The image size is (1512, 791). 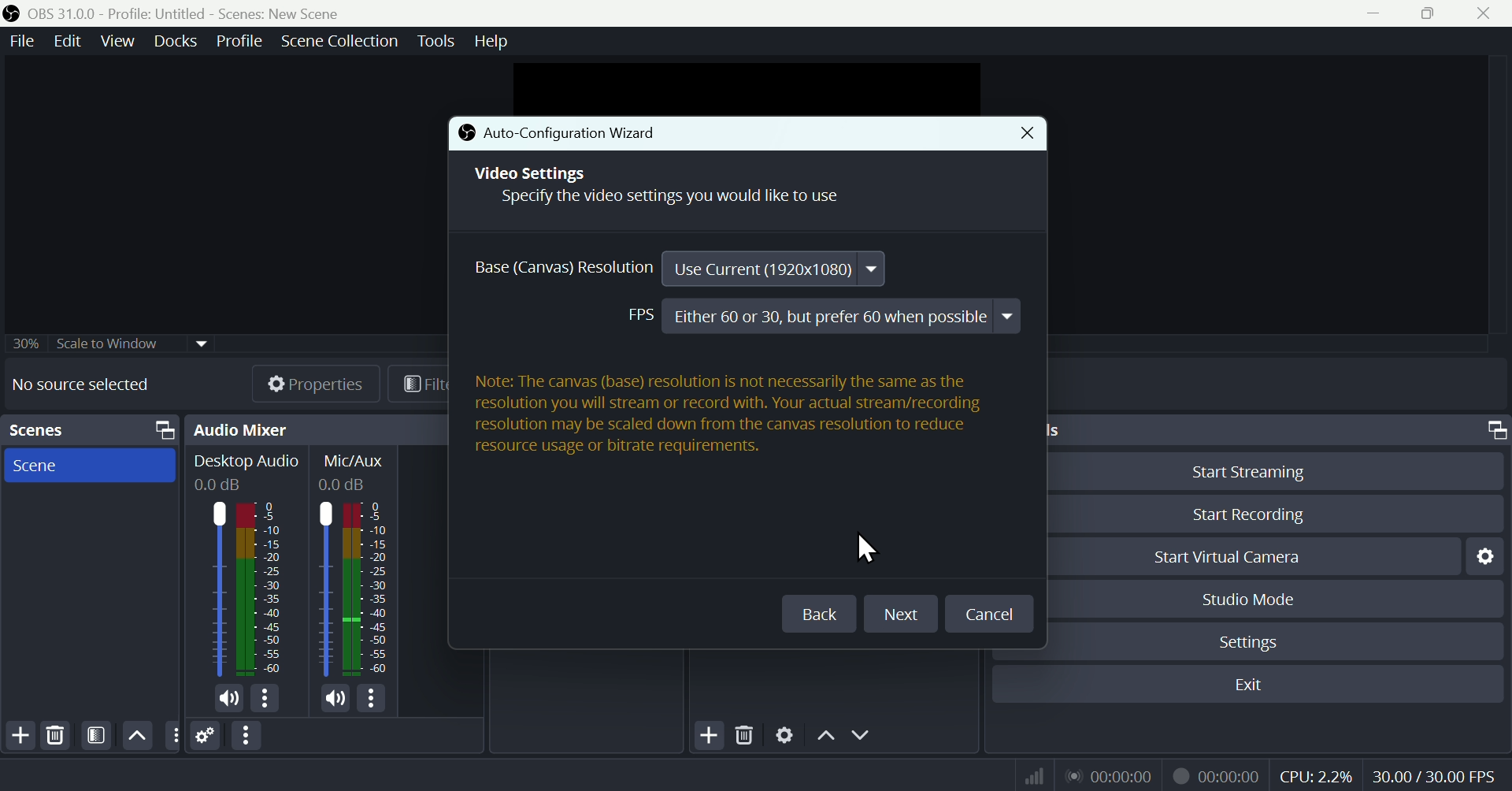 I want to click on Profile, so click(x=235, y=41).